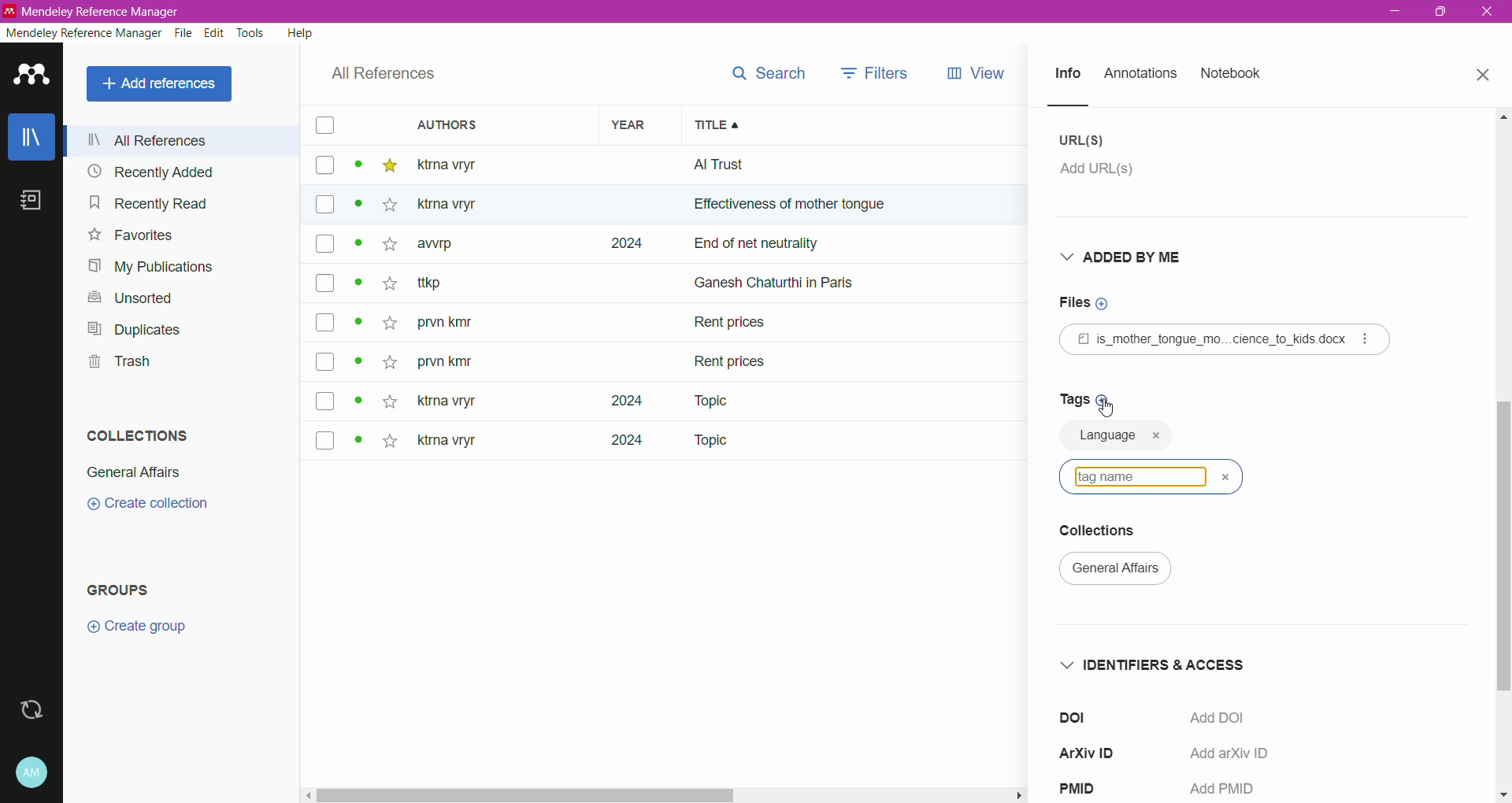  Describe the element at coordinates (166, 202) in the screenshot. I see `Recently Read` at that location.